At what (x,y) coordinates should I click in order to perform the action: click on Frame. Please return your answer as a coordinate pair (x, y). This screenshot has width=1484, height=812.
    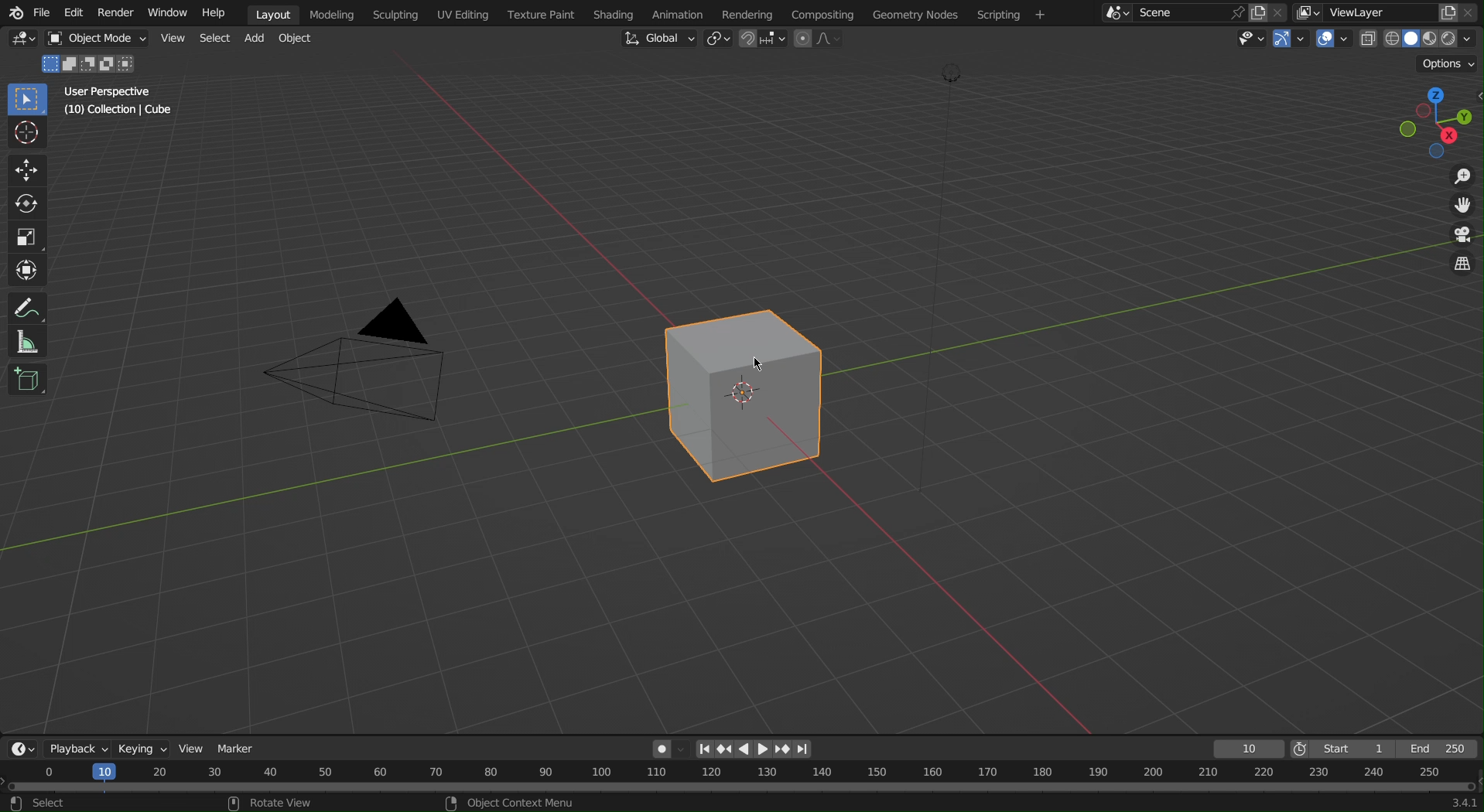
    Looking at the image, I should click on (1246, 749).